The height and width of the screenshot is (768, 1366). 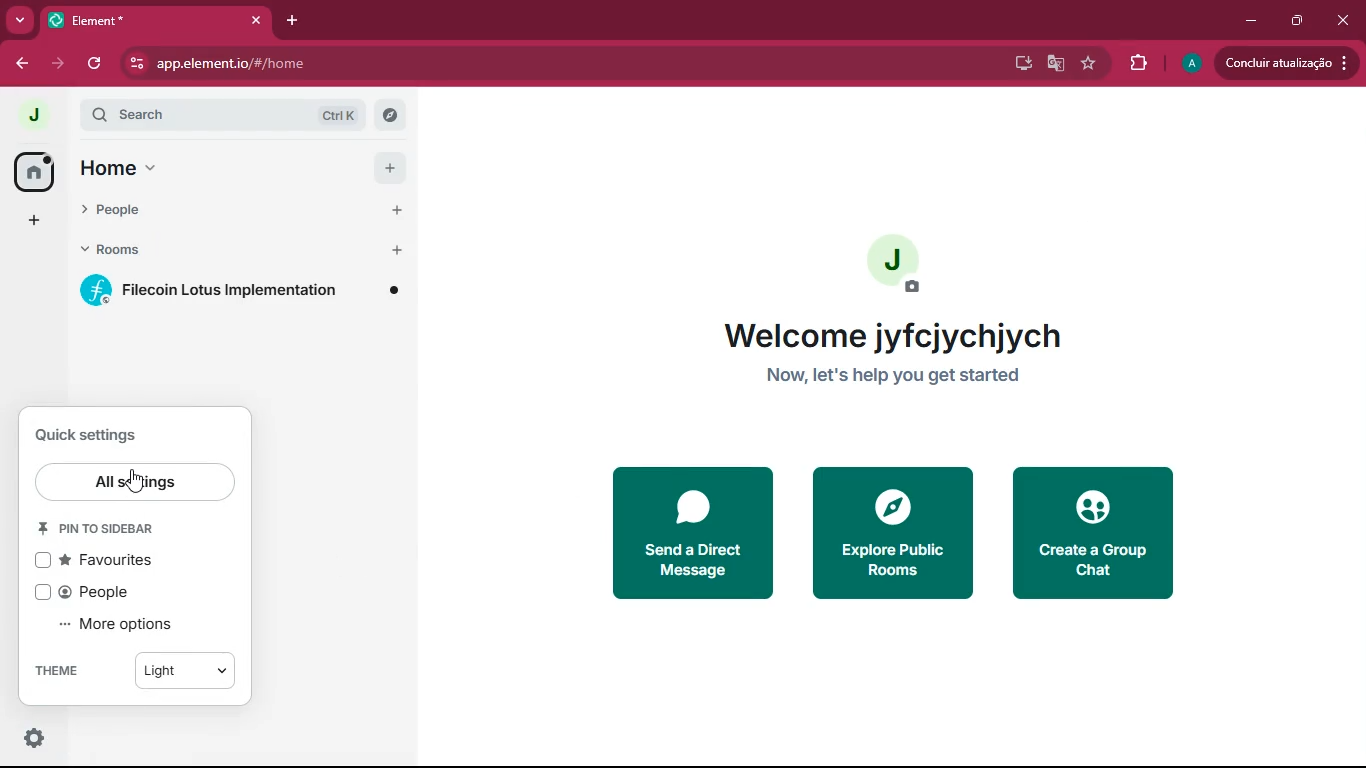 I want to click on quick settings, so click(x=91, y=434).